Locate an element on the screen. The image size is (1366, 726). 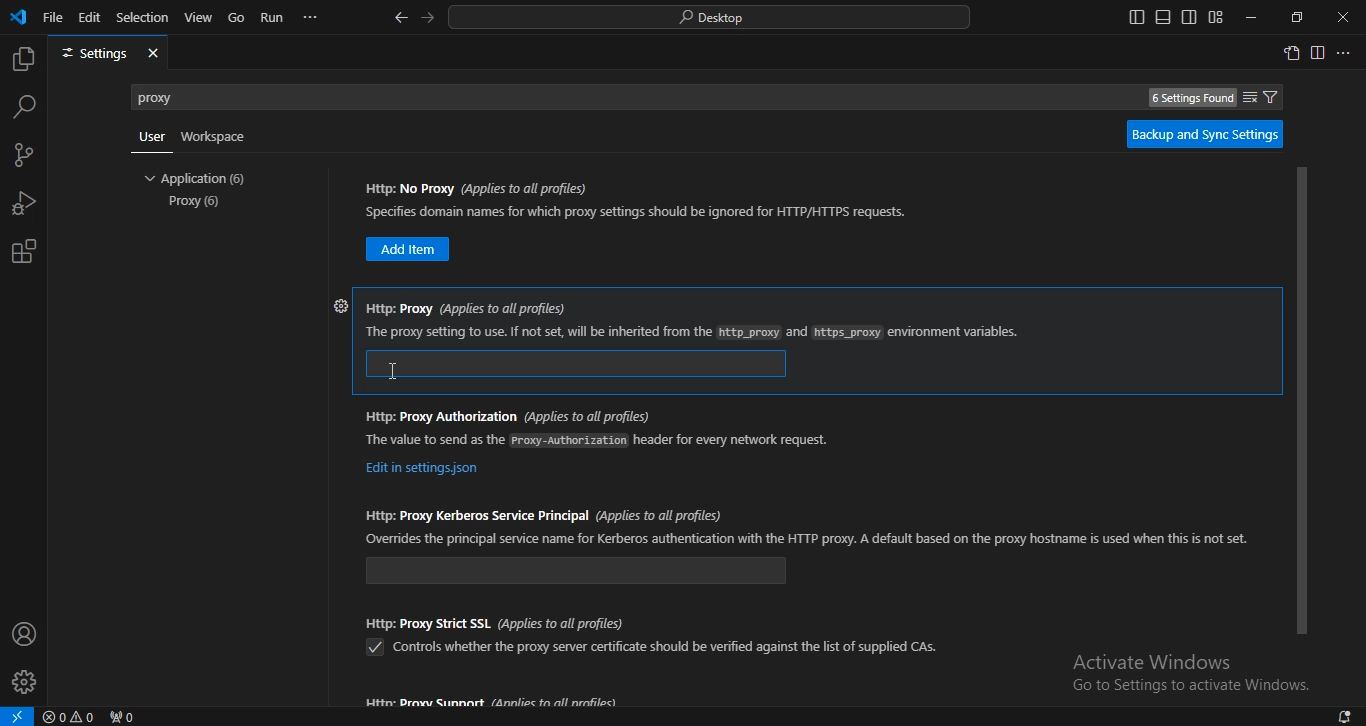
search is located at coordinates (23, 108).